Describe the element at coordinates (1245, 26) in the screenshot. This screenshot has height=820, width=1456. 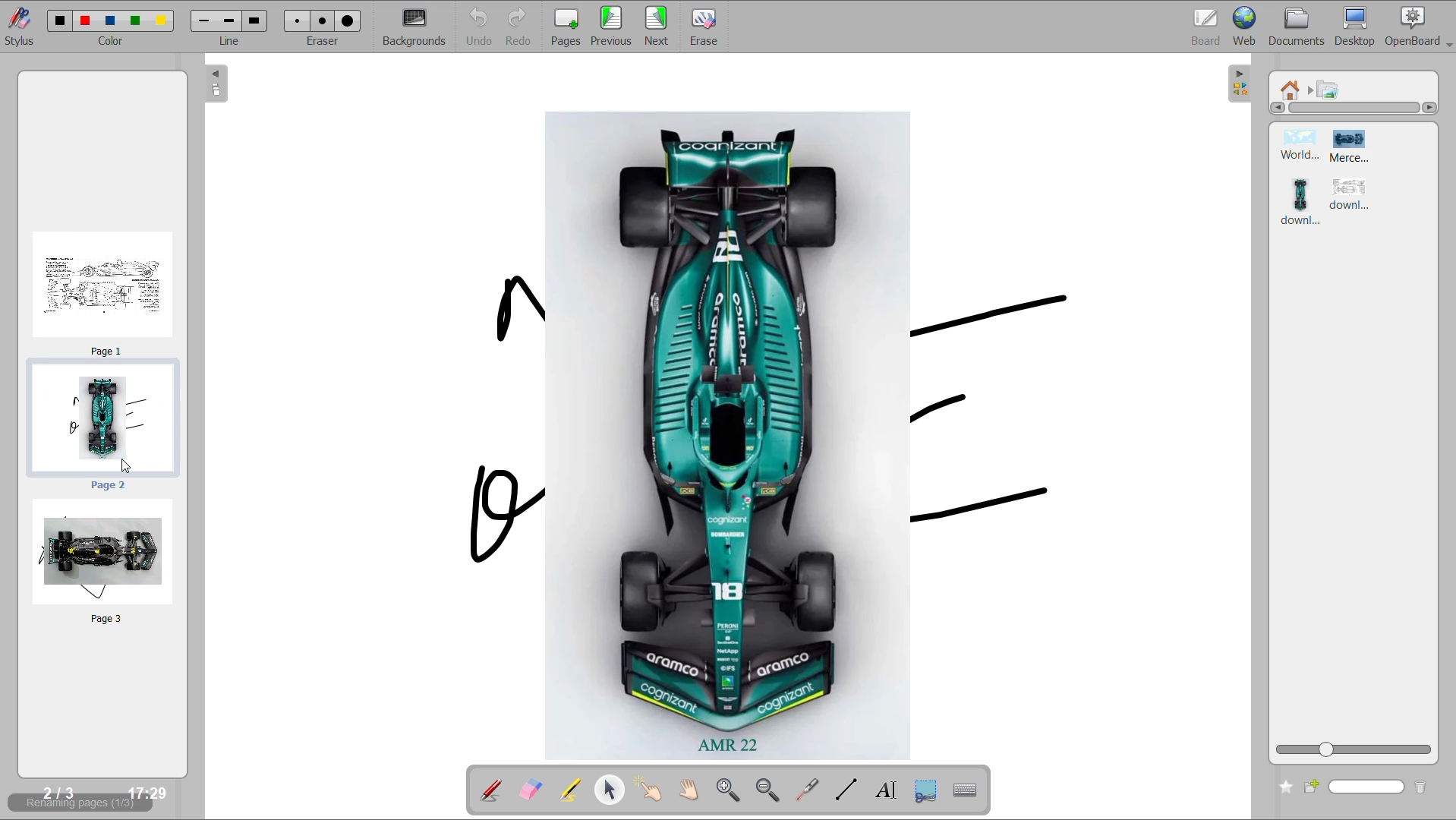
I see `web` at that location.